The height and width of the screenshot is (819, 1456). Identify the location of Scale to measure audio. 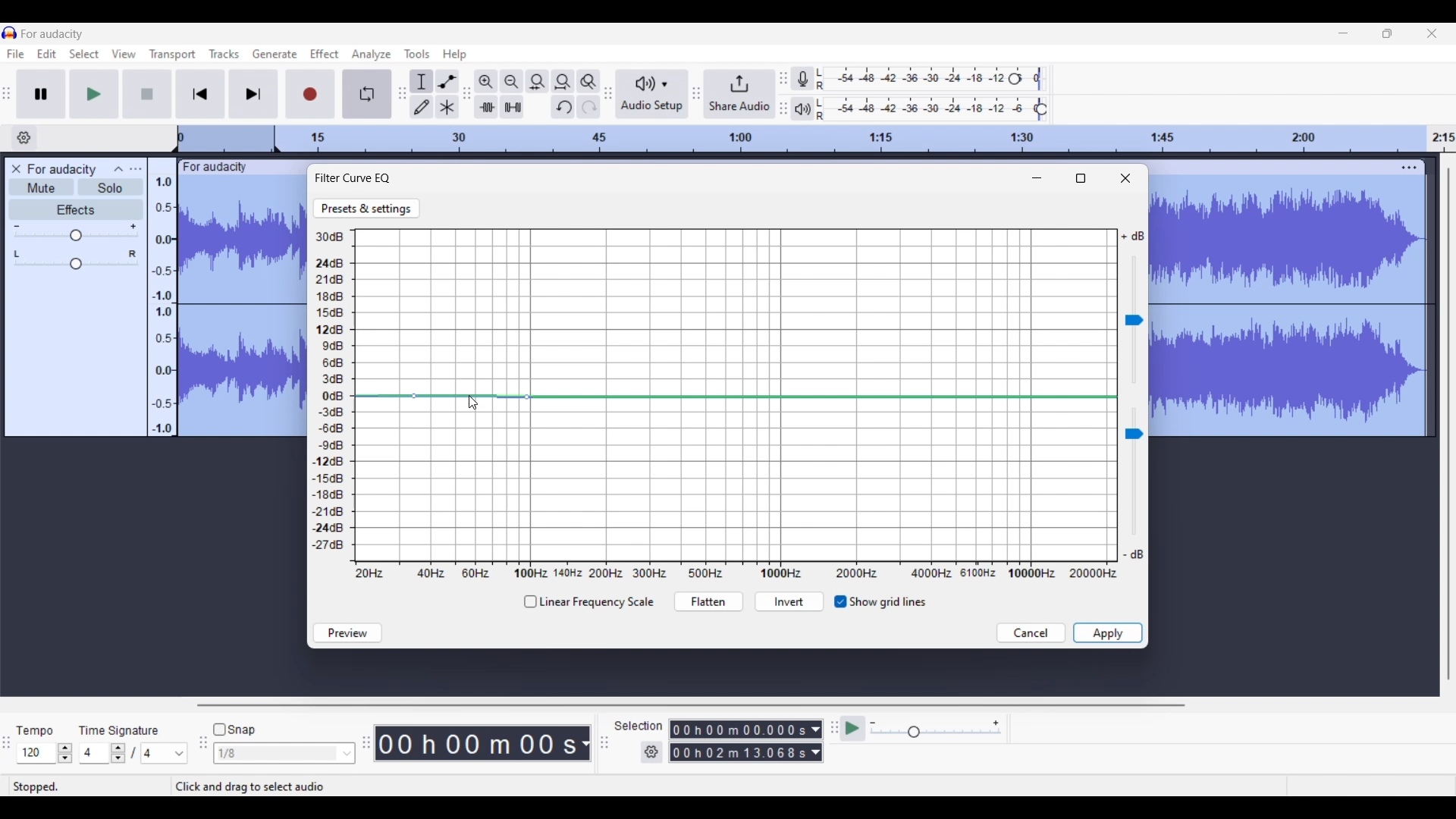
(161, 297).